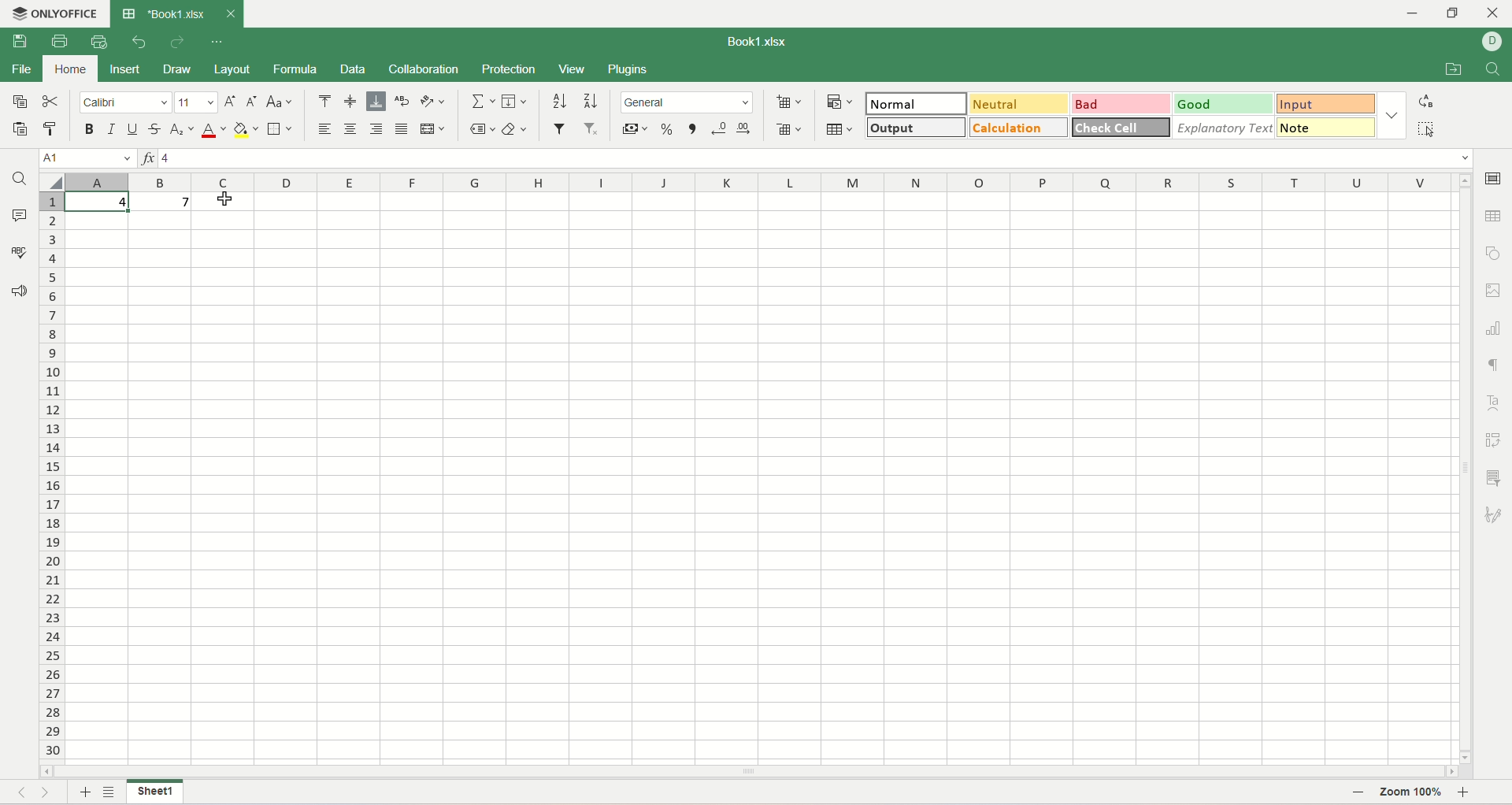  What do you see at coordinates (1494, 14) in the screenshot?
I see `close` at bounding box center [1494, 14].